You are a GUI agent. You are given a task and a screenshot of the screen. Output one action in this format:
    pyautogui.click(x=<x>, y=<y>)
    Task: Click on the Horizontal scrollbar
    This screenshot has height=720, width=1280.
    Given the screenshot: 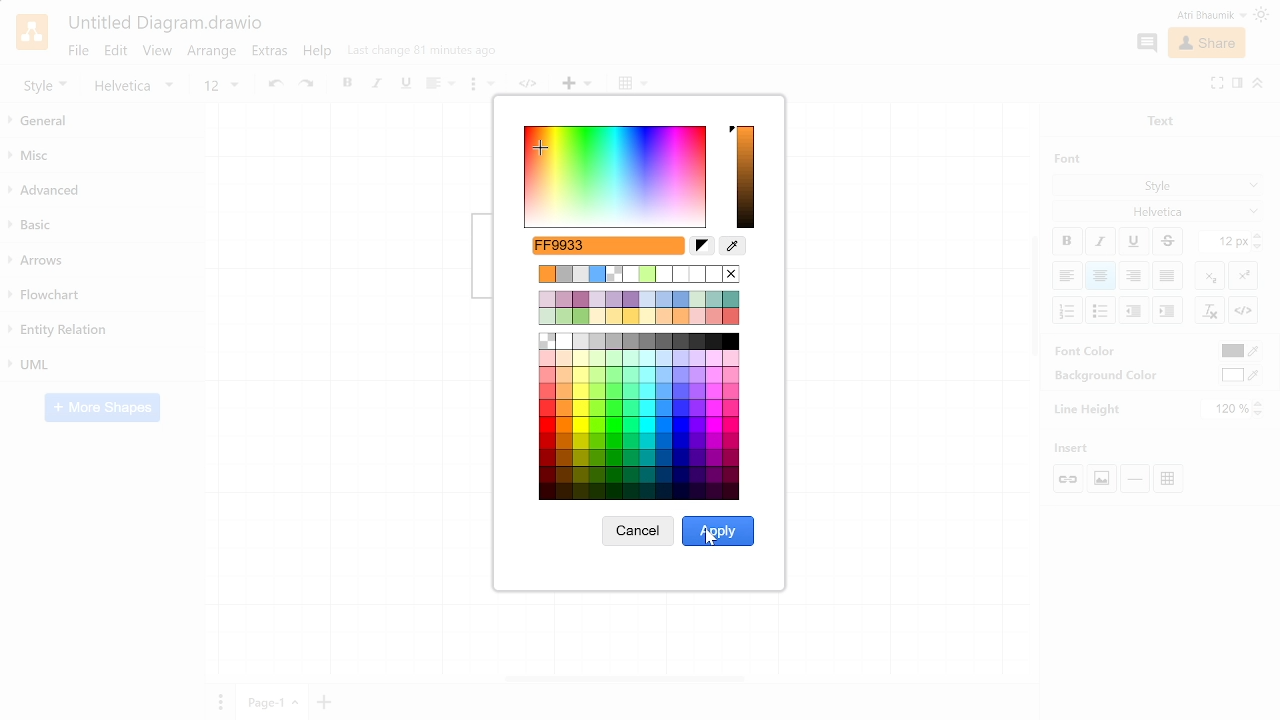 What is the action you would take?
    pyautogui.click(x=626, y=677)
    